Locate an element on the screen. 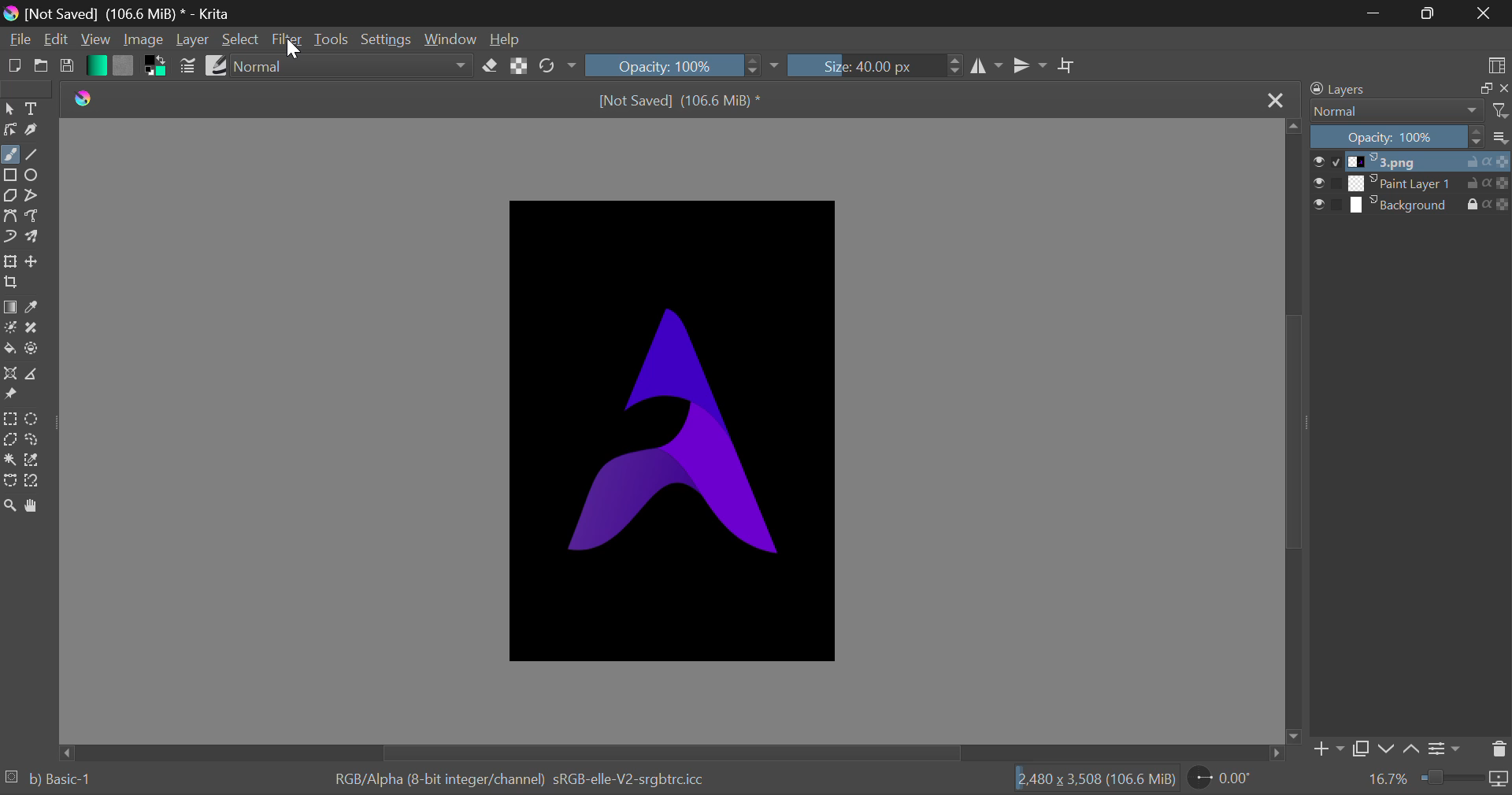 This screenshot has width=1512, height=795. Rectangle is located at coordinates (13, 176).